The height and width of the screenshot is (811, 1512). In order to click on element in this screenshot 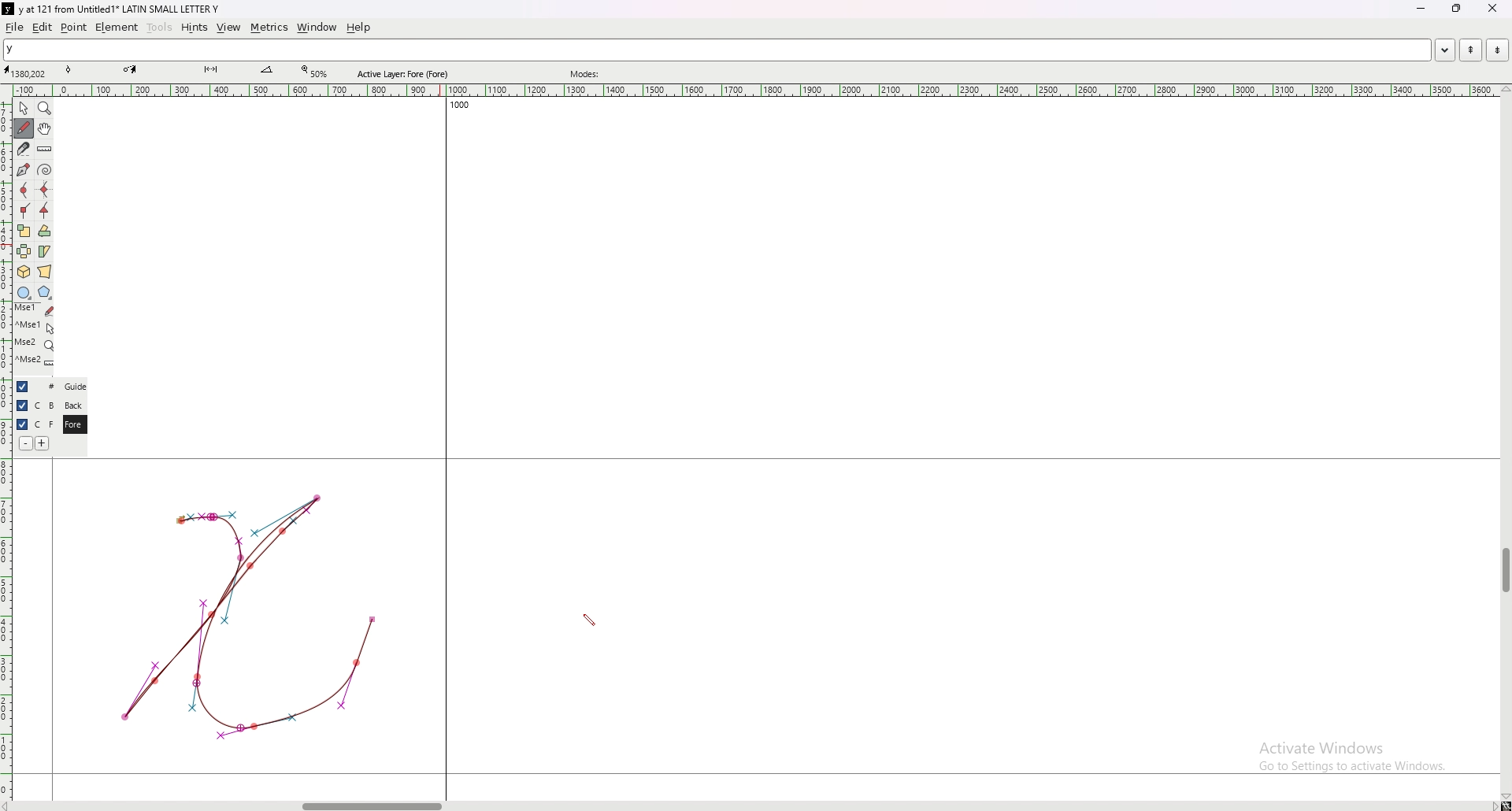, I will do `click(117, 27)`.